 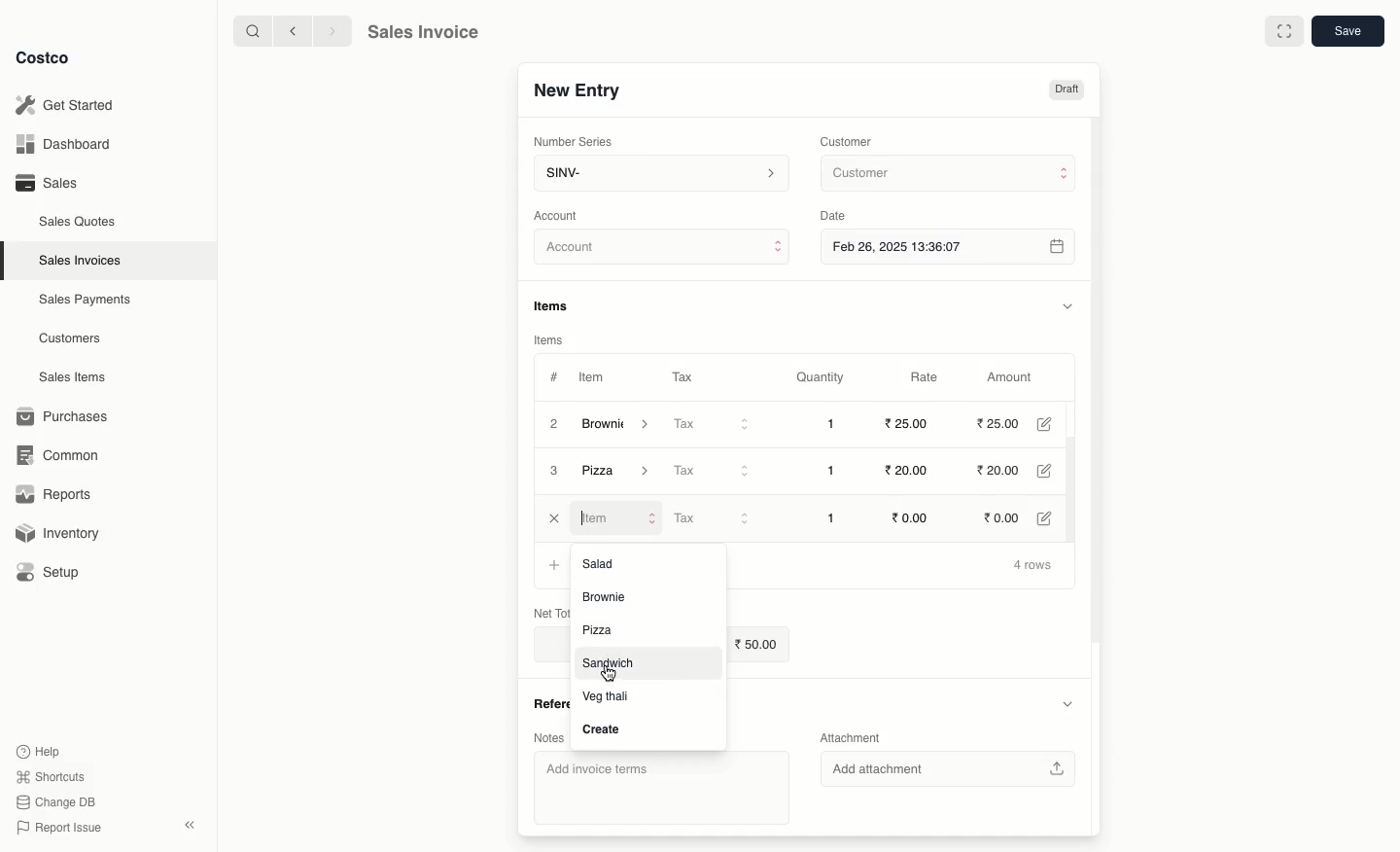 What do you see at coordinates (540, 611) in the screenshot?
I see `Net Total` at bounding box center [540, 611].